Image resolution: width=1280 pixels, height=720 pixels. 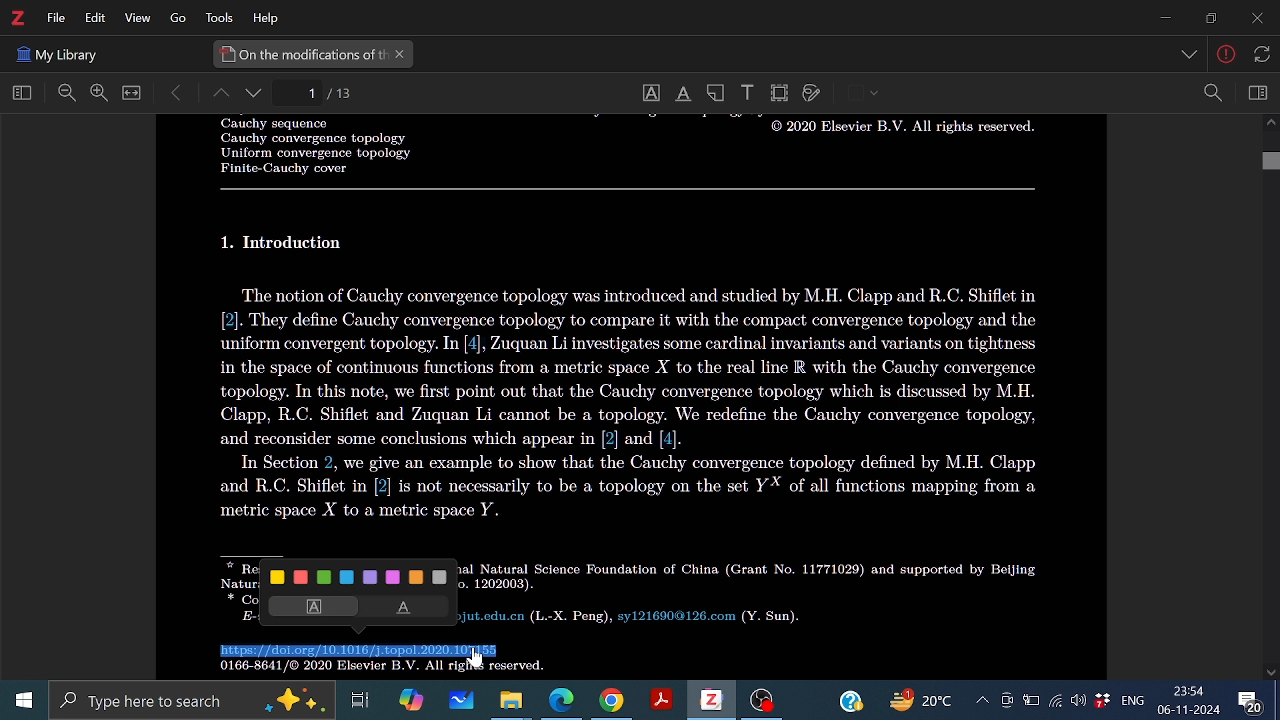 I want to click on , so click(x=477, y=658).